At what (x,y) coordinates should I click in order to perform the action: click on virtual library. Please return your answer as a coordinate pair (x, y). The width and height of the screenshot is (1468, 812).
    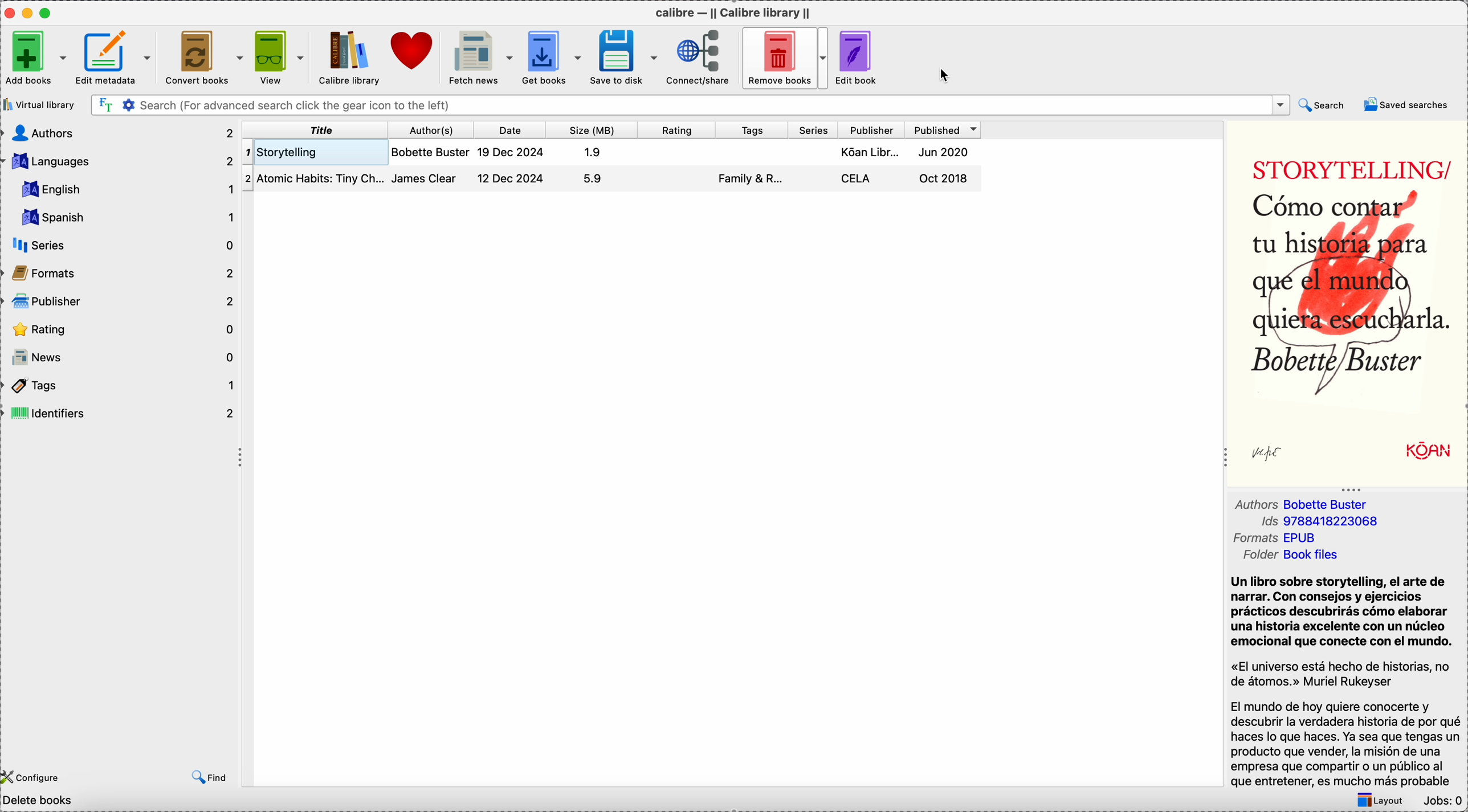
    Looking at the image, I should click on (40, 107).